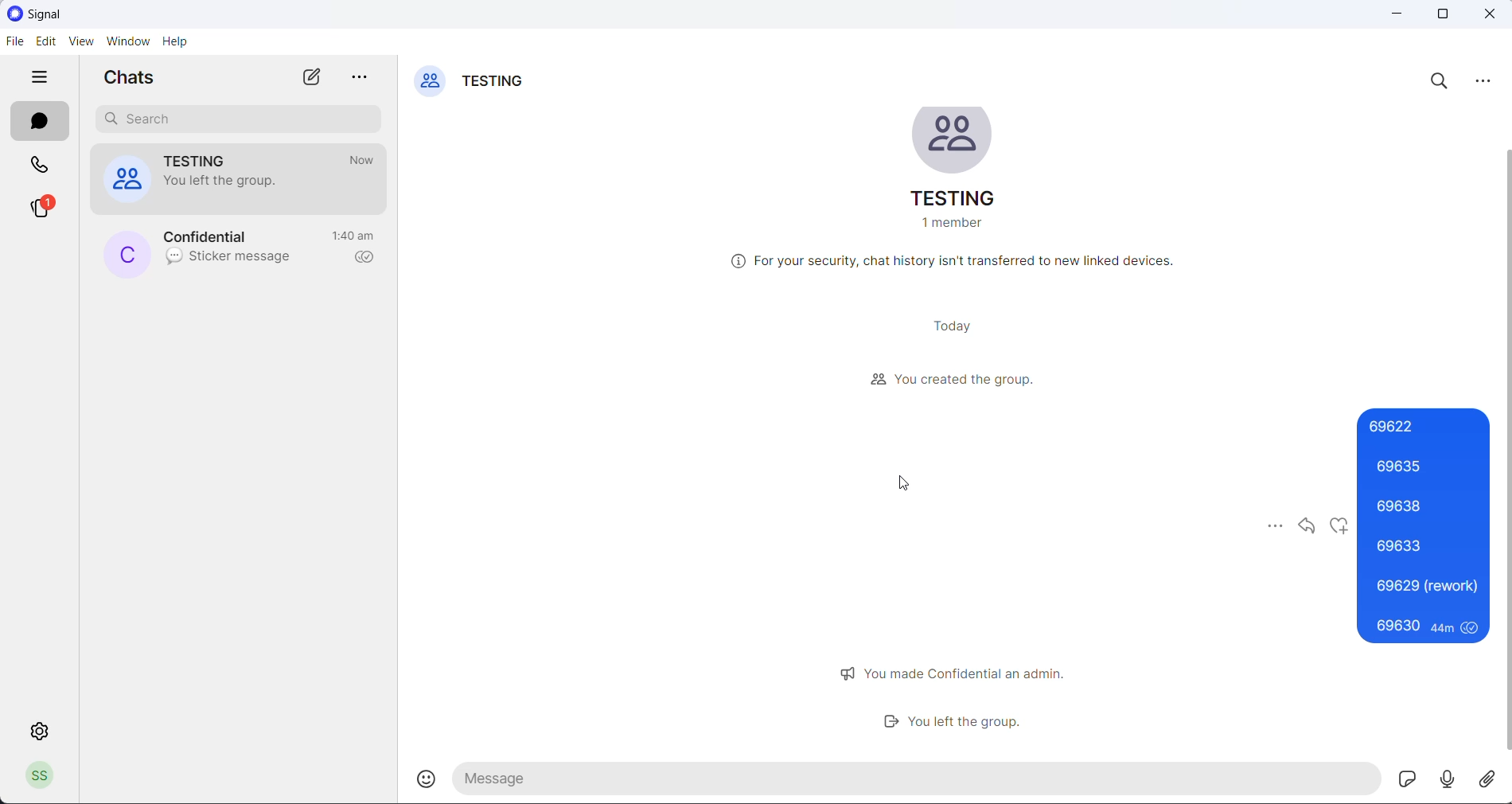 The image size is (1512, 804). Describe the element at coordinates (41, 120) in the screenshot. I see `chats` at that location.